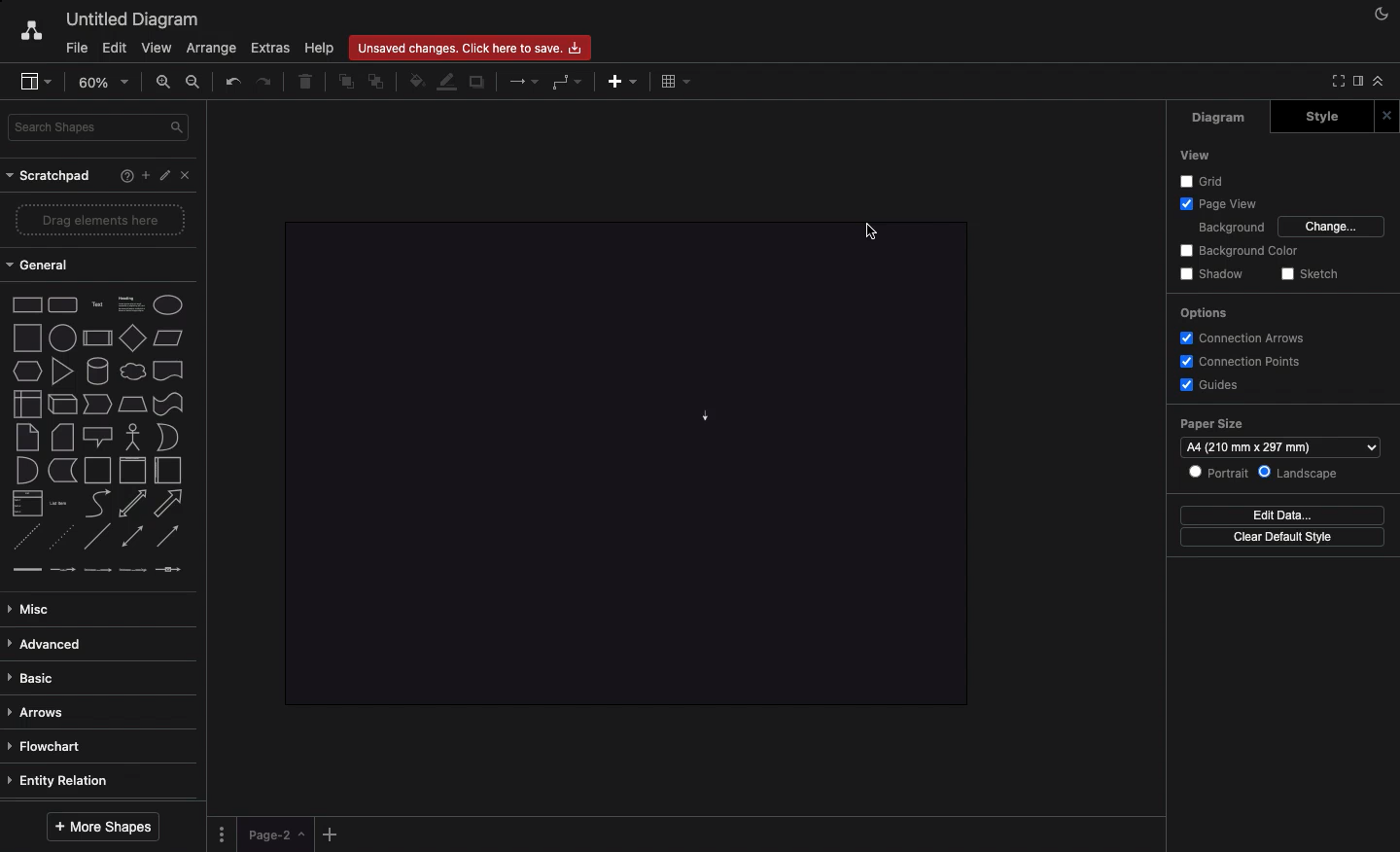 The image size is (1400, 852). What do you see at coordinates (1308, 275) in the screenshot?
I see `Sketch` at bounding box center [1308, 275].